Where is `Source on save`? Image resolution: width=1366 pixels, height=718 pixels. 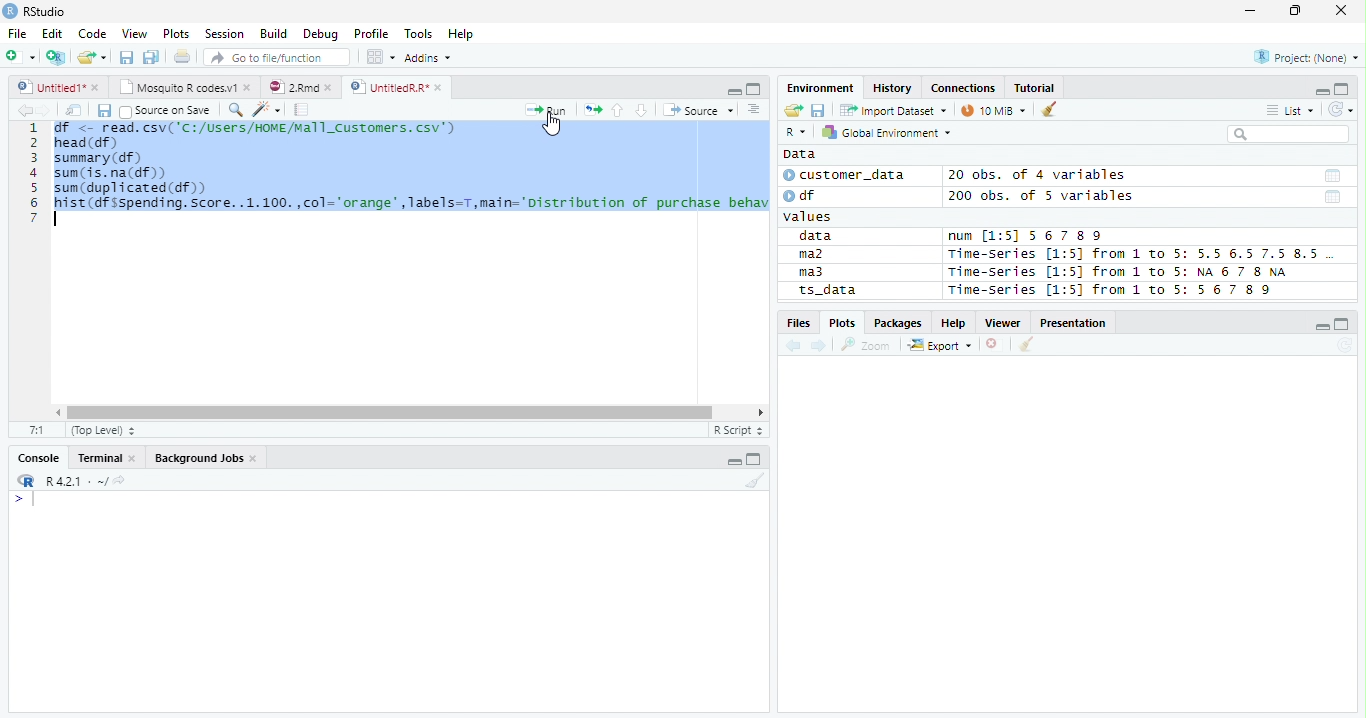
Source on save is located at coordinates (166, 111).